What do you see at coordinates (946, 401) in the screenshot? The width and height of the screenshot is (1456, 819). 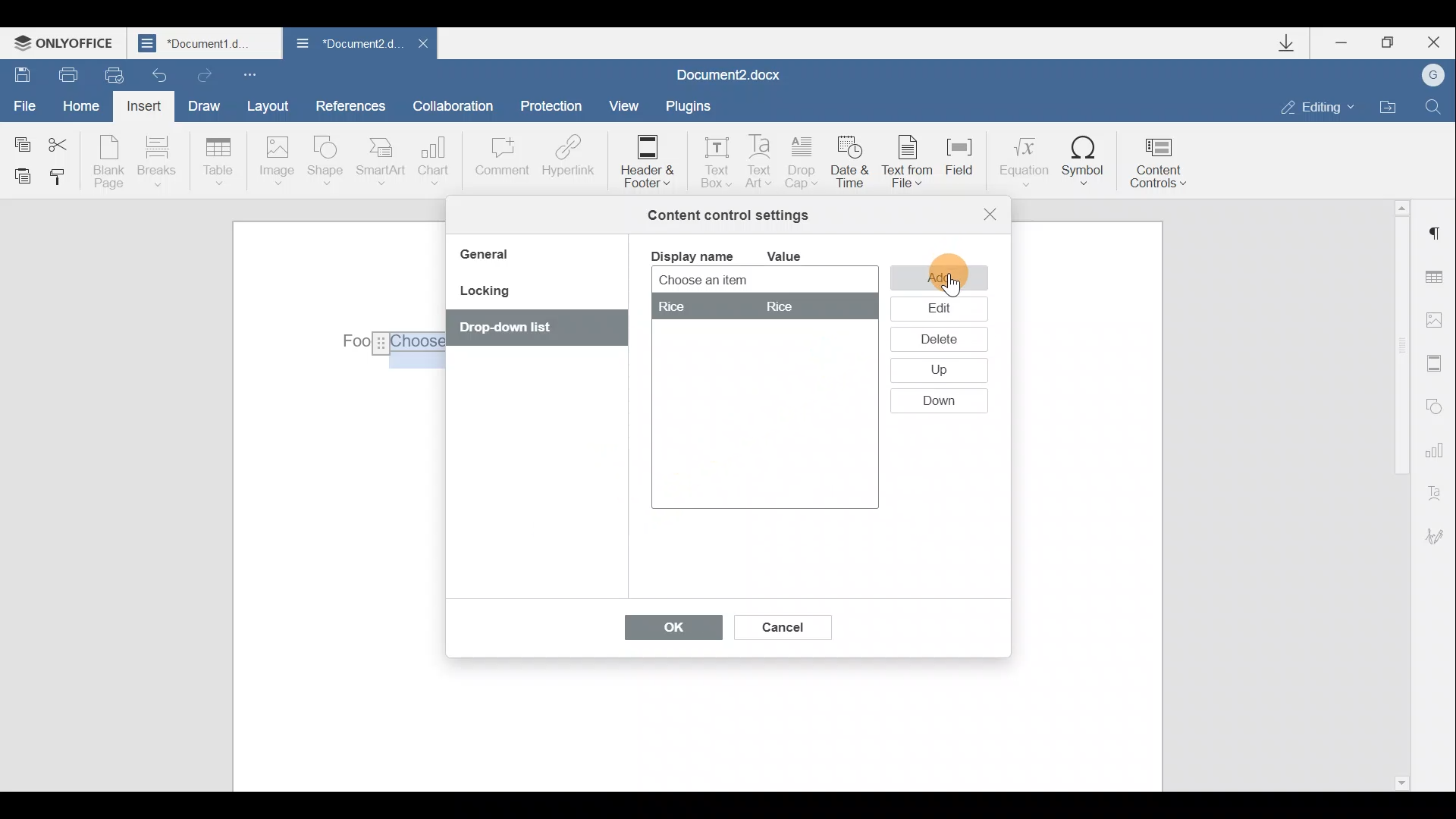 I see `Down` at bounding box center [946, 401].